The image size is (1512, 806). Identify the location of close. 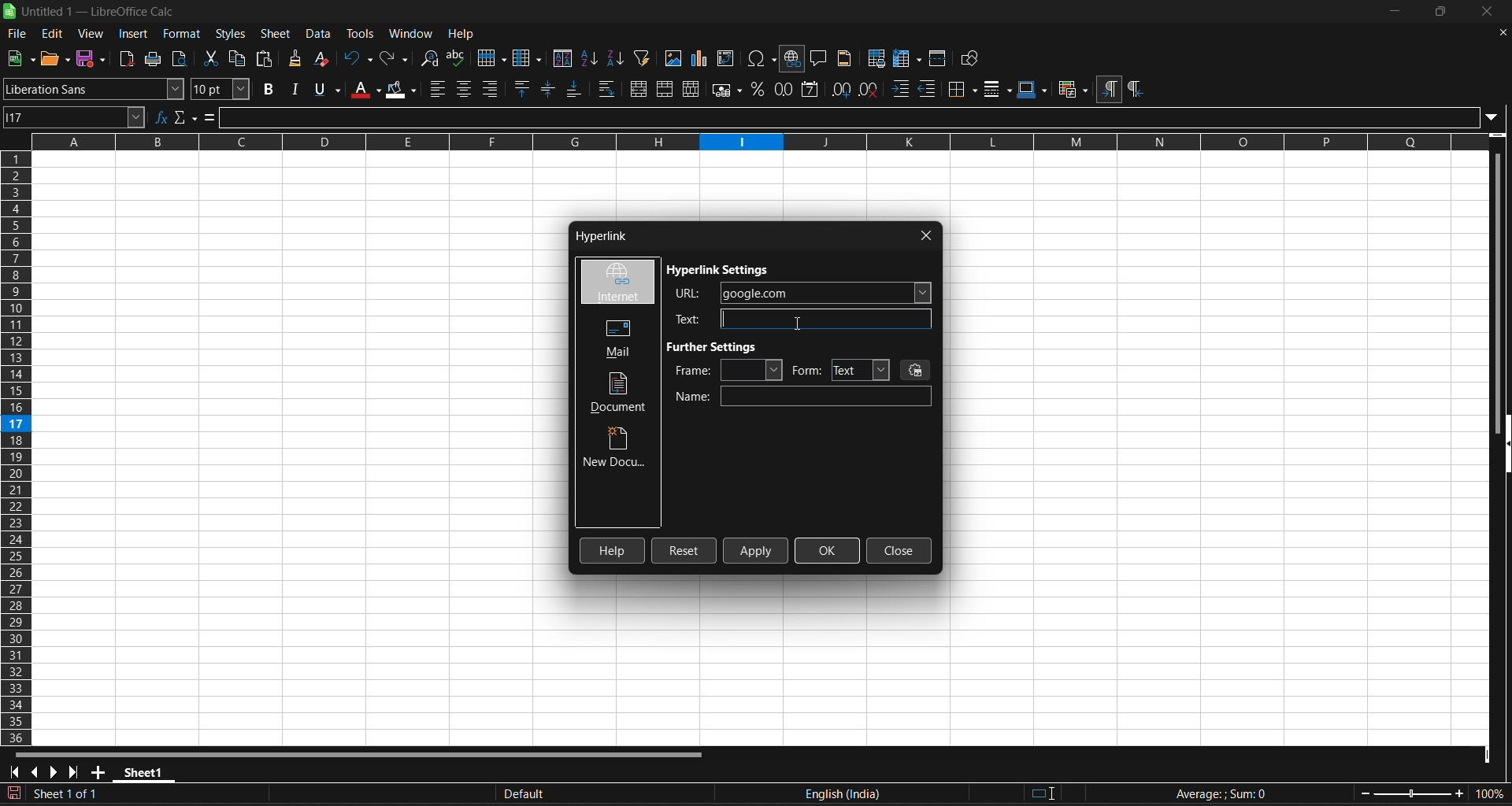
(927, 235).